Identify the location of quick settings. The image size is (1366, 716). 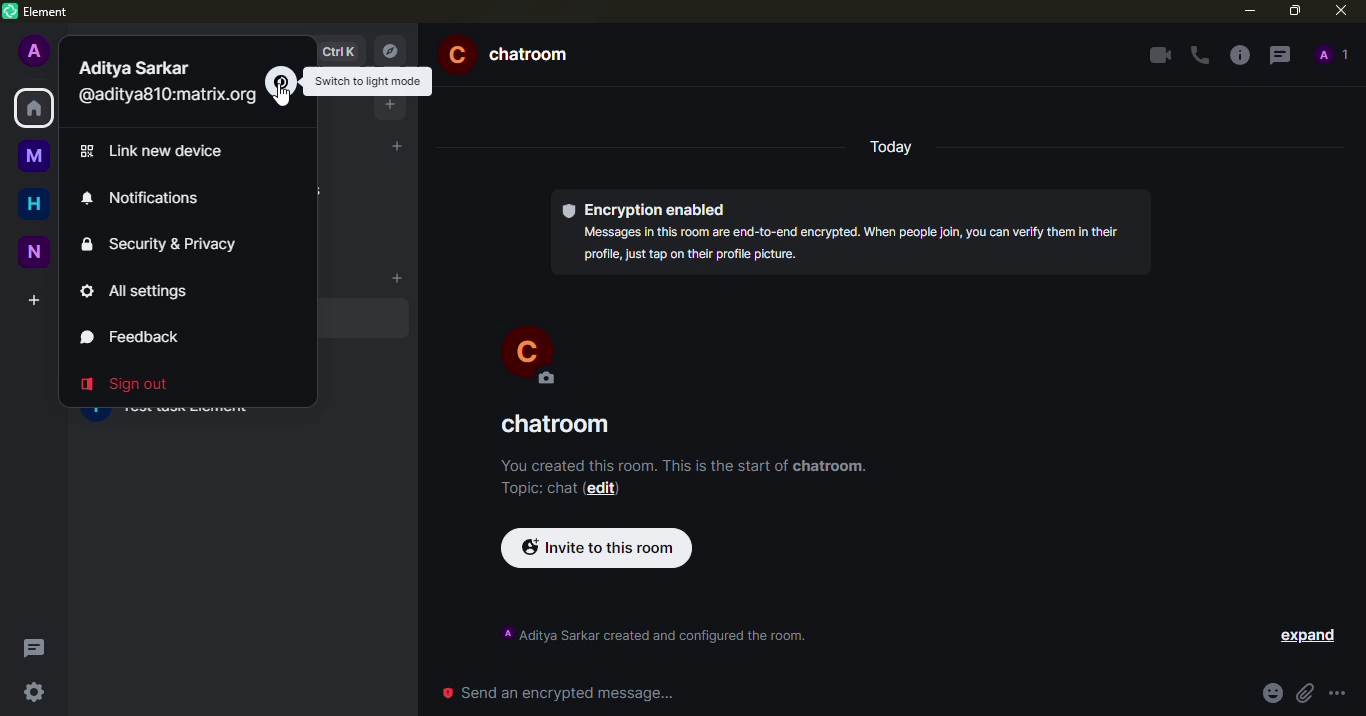
(31, 691).